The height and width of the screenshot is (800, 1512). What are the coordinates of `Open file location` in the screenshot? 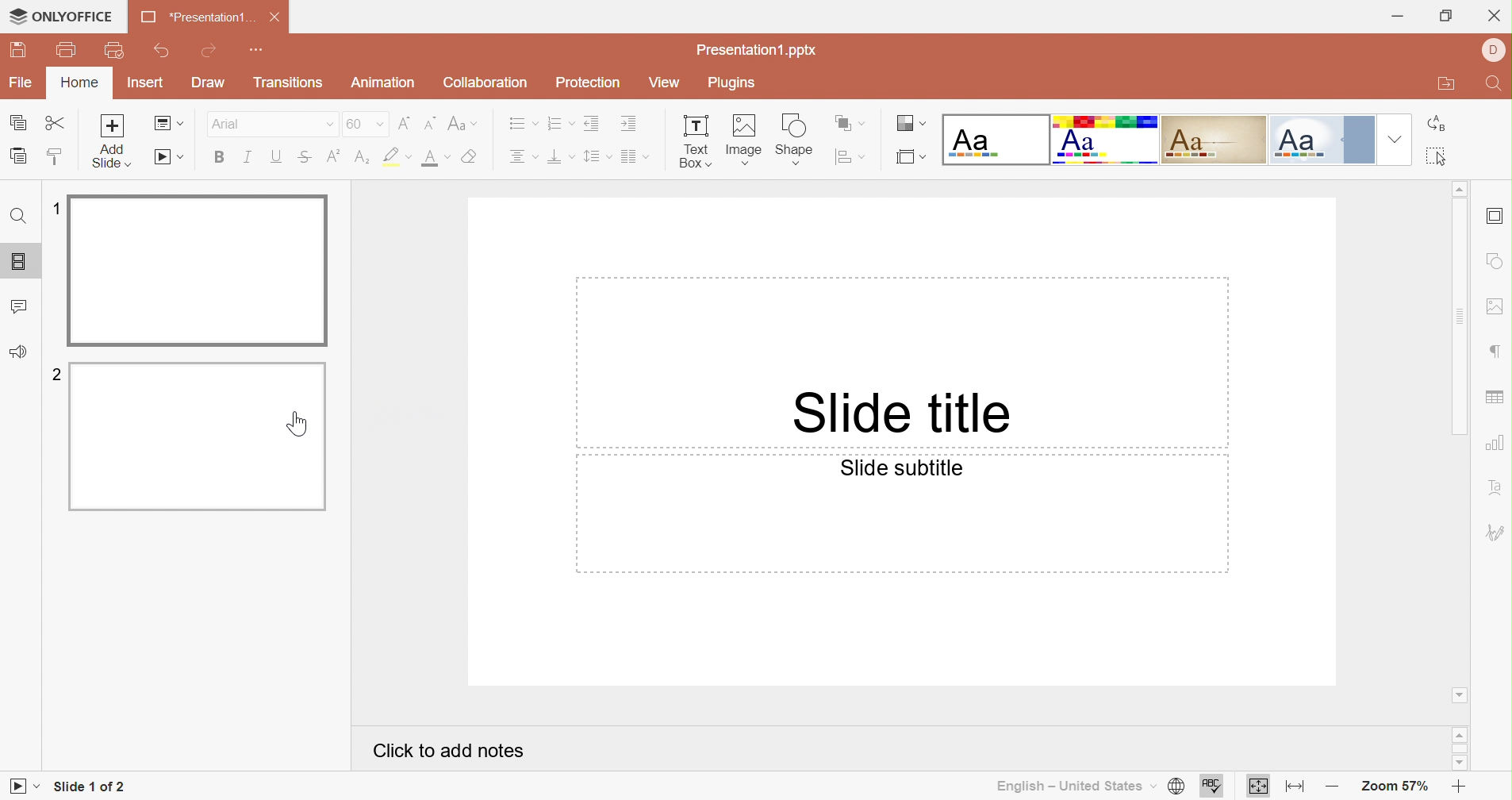 It's located at (1438, 86).